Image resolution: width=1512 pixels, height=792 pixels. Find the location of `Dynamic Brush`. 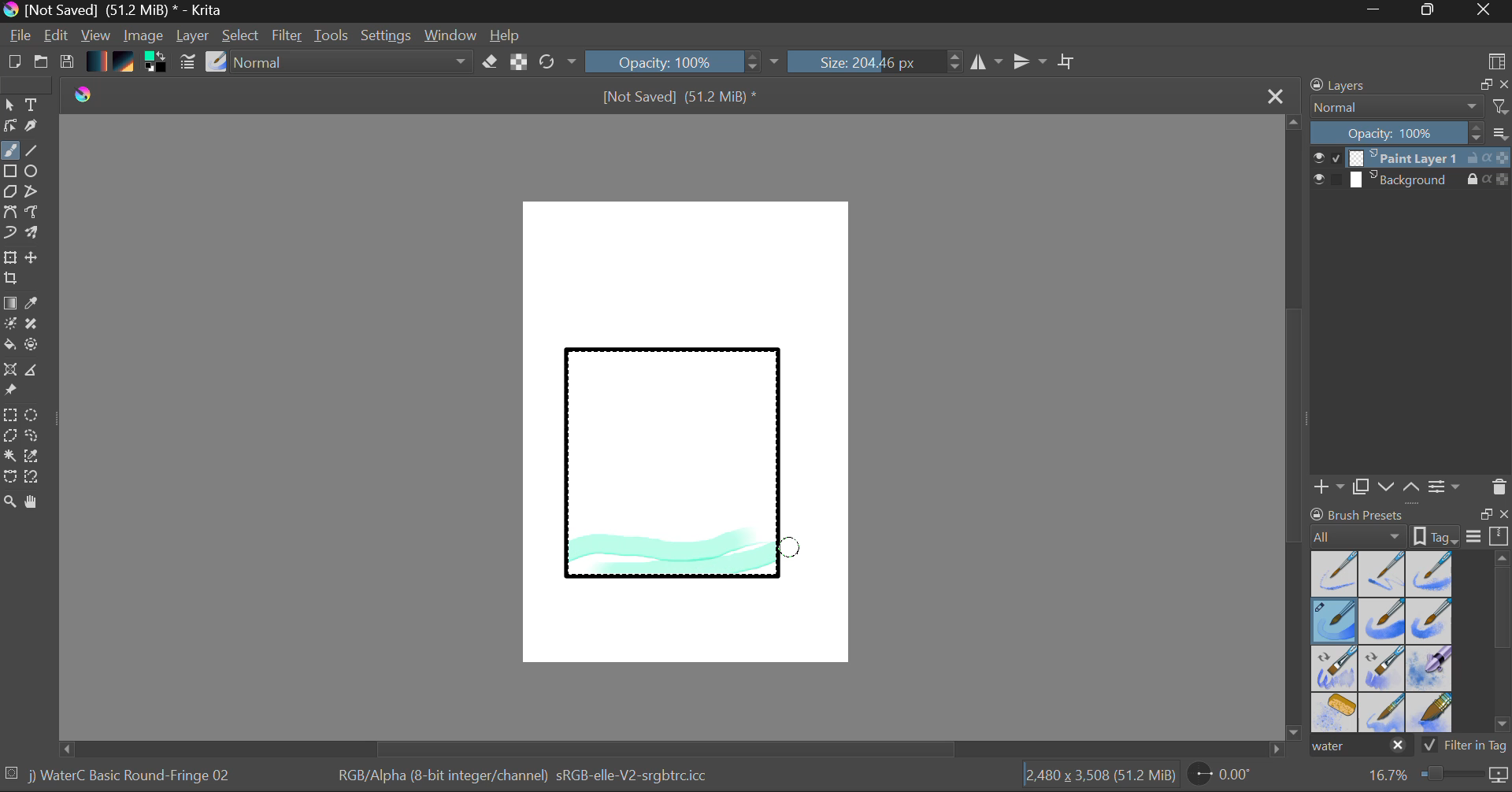

Dynamic Brush is located at coordinates (9, 233).